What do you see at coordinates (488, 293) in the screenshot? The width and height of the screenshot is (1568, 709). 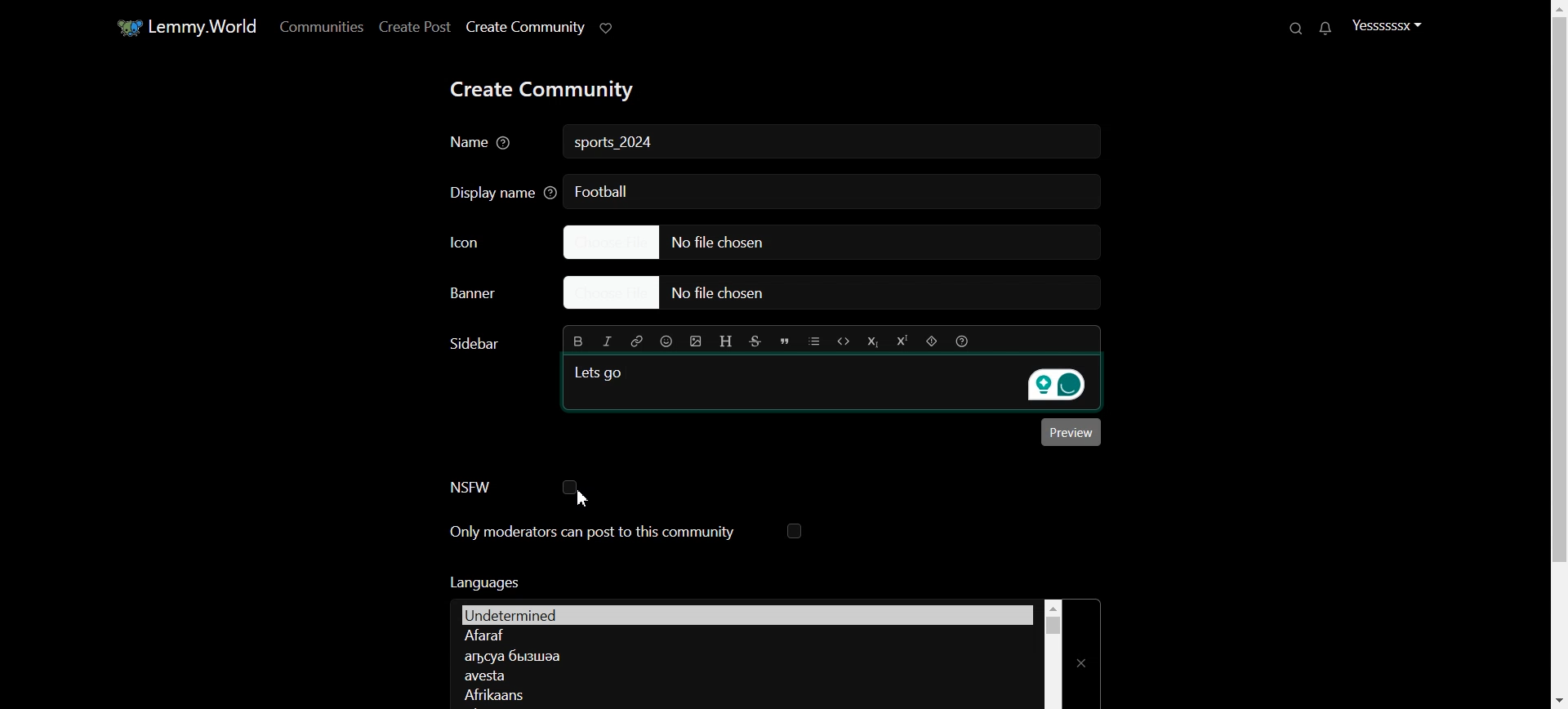 I see `Choose Banner` at bounding box center [488, 293].